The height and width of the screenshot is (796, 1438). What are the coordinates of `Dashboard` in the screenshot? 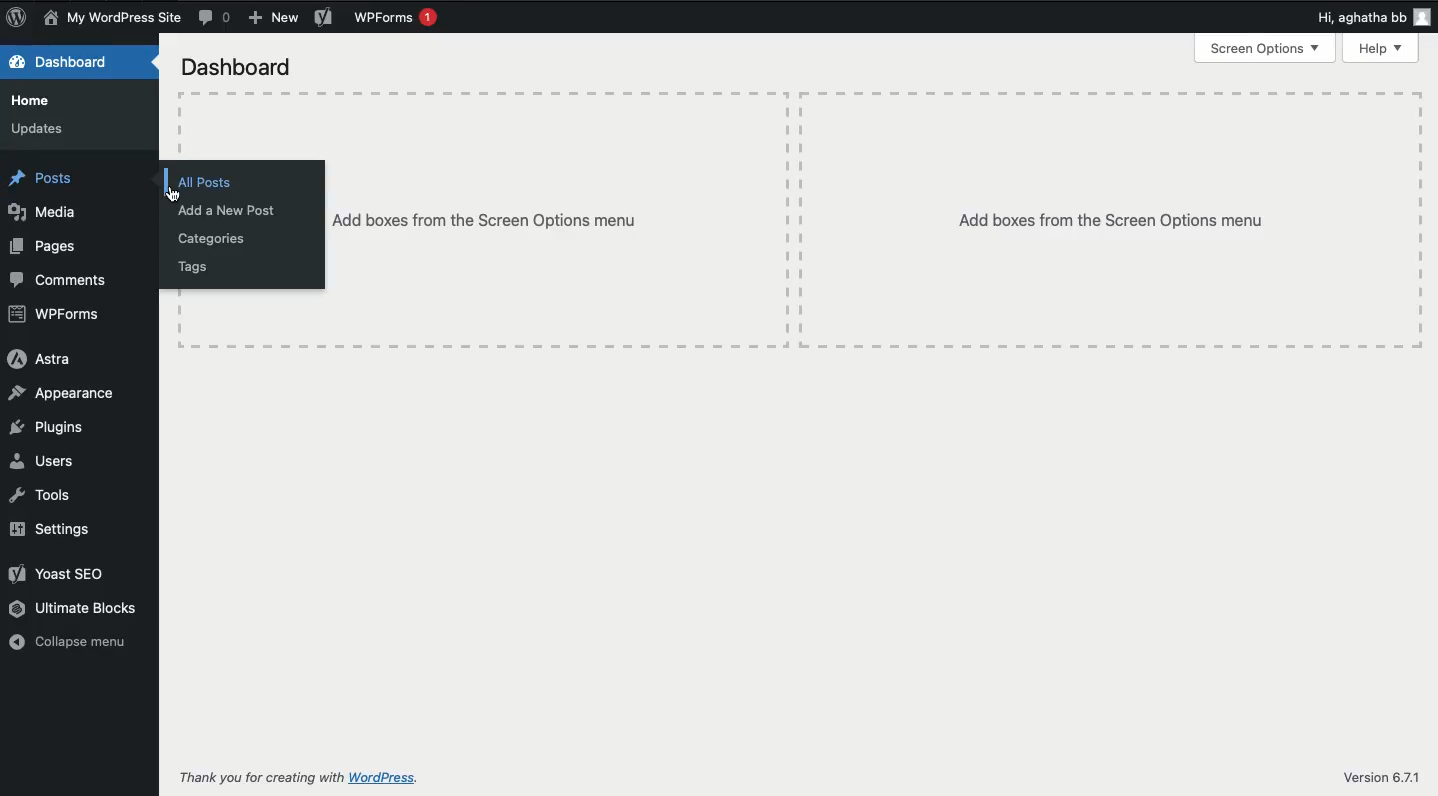 It's located at (64, 61).